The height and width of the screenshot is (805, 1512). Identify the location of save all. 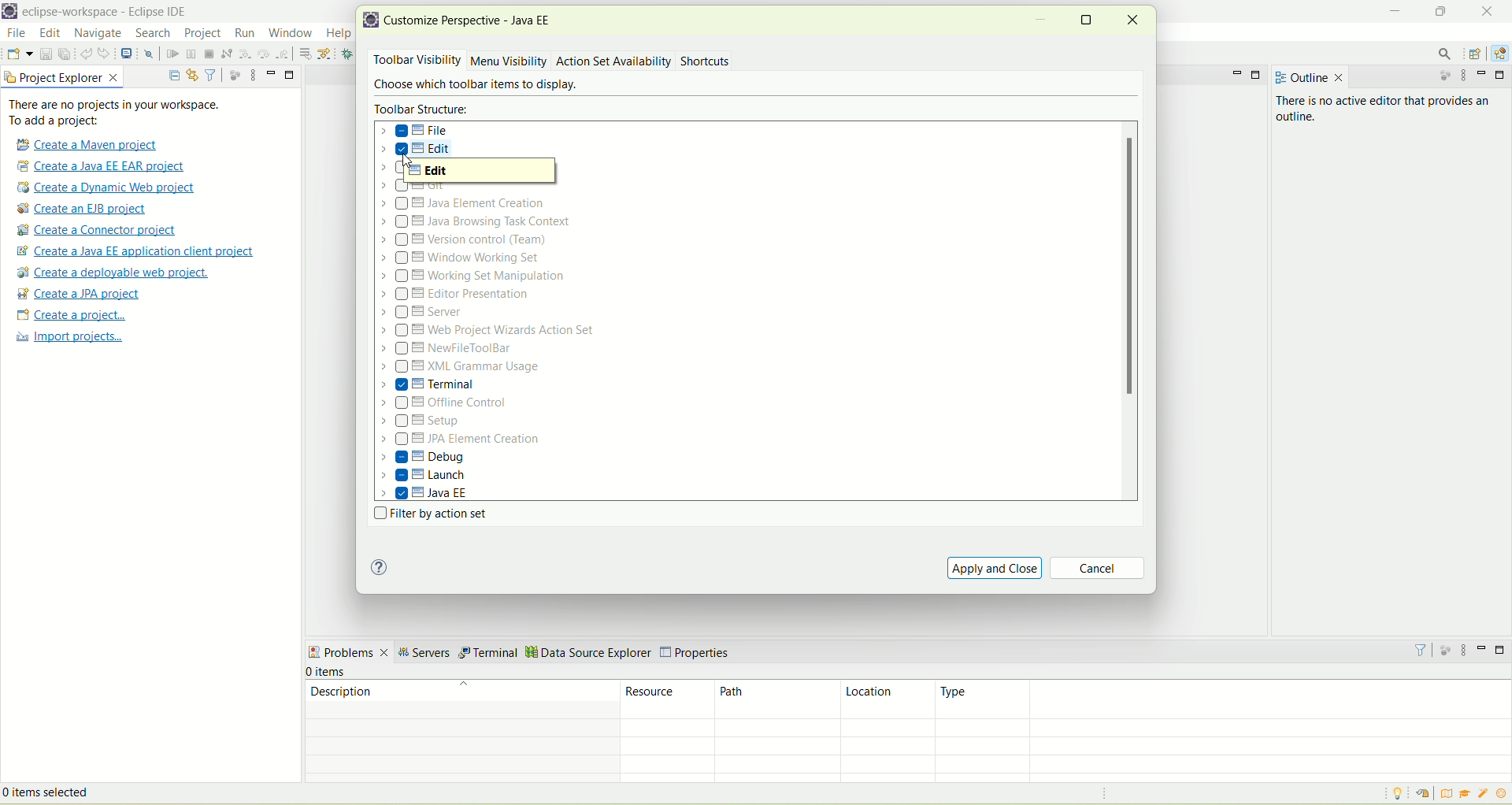
(65, 54).